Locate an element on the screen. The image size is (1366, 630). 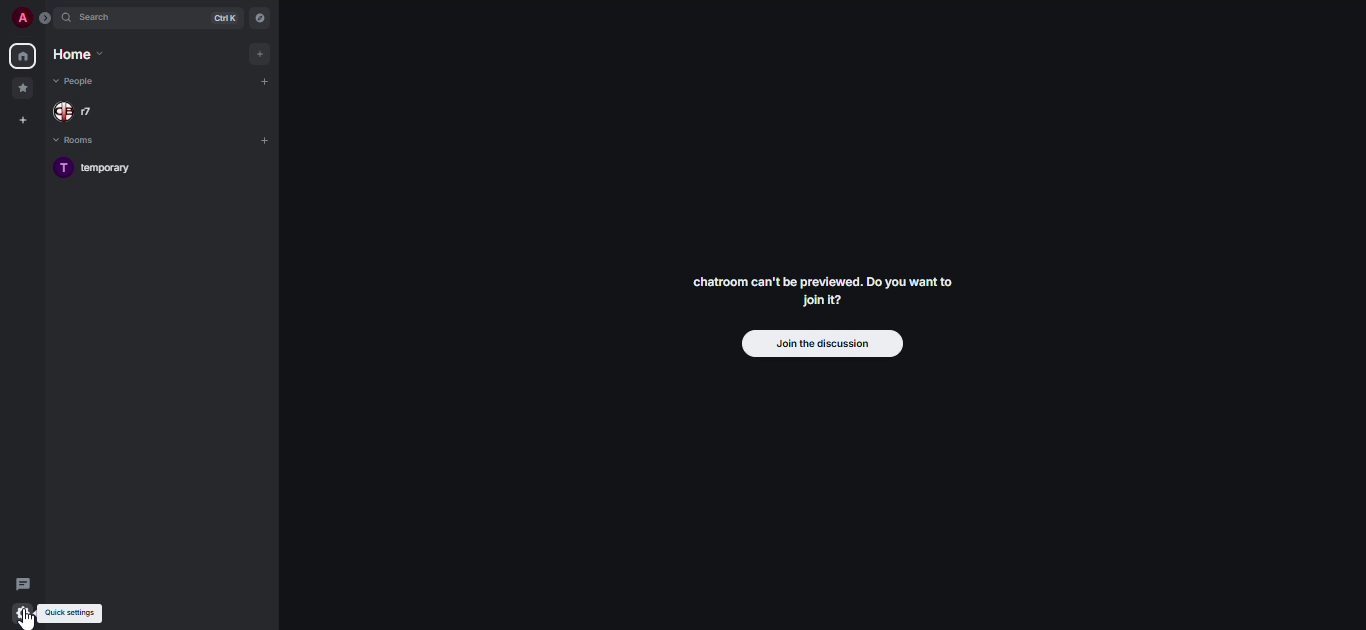
cursor is located at coordinates (31, 621).